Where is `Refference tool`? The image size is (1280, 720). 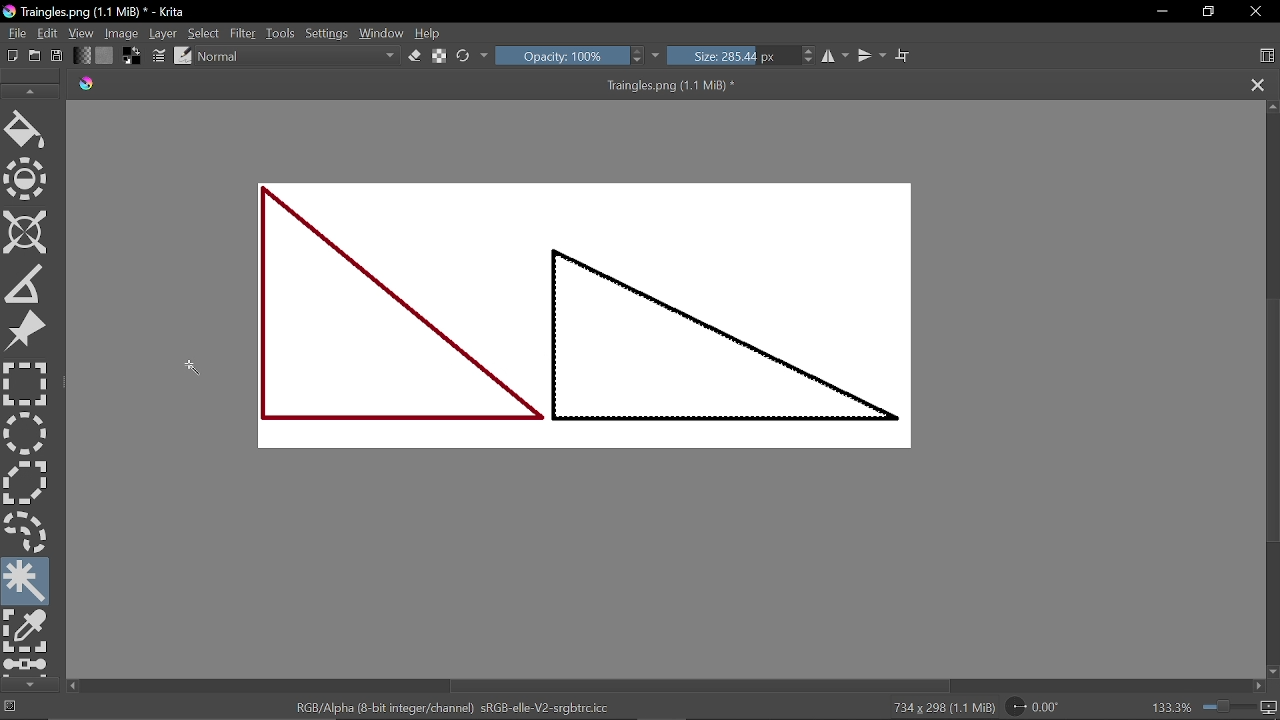 Refference tool is located at coordinates (26, 333).